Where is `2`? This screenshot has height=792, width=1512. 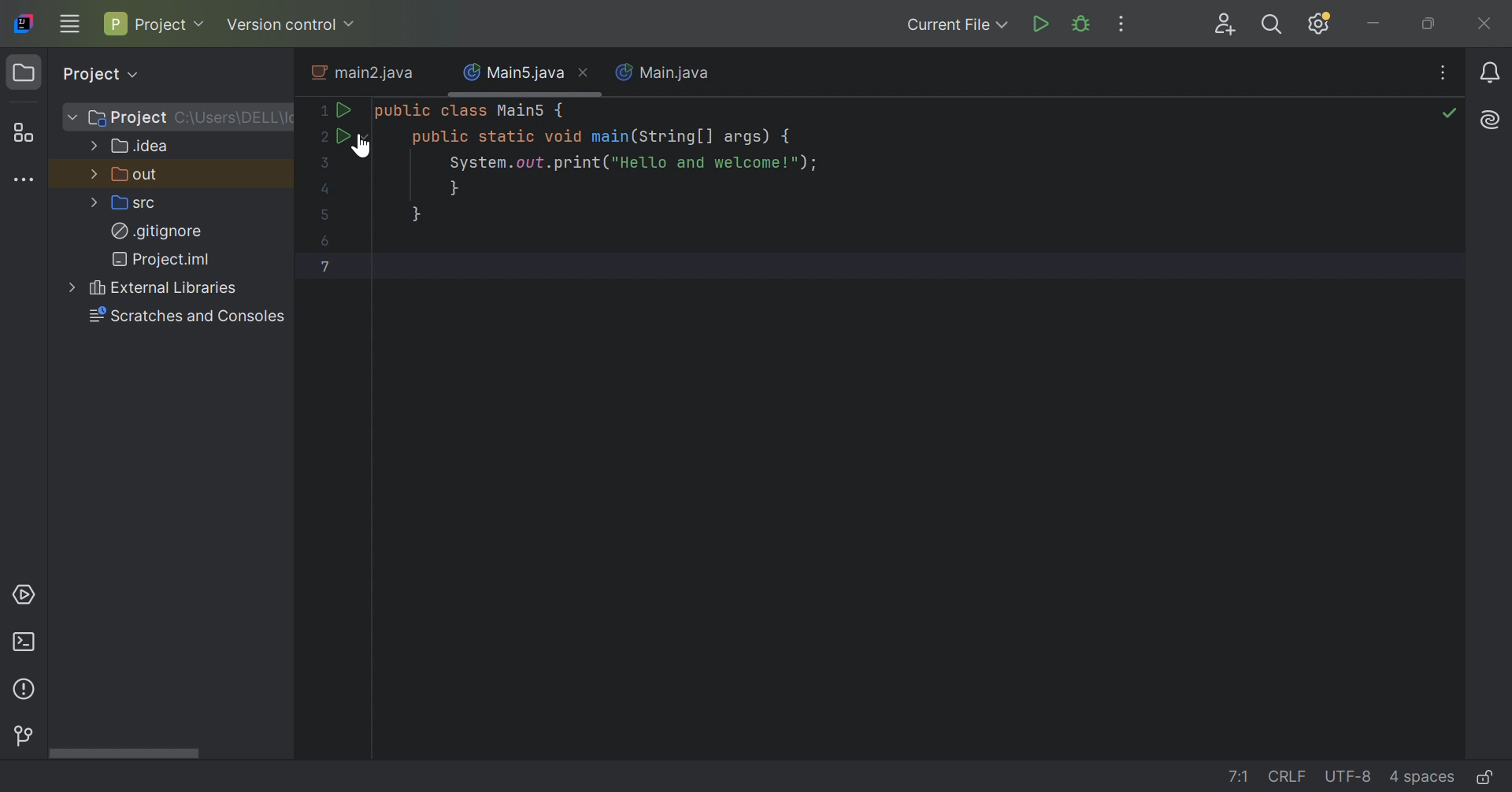
2 is located at coordinates (321, 135).